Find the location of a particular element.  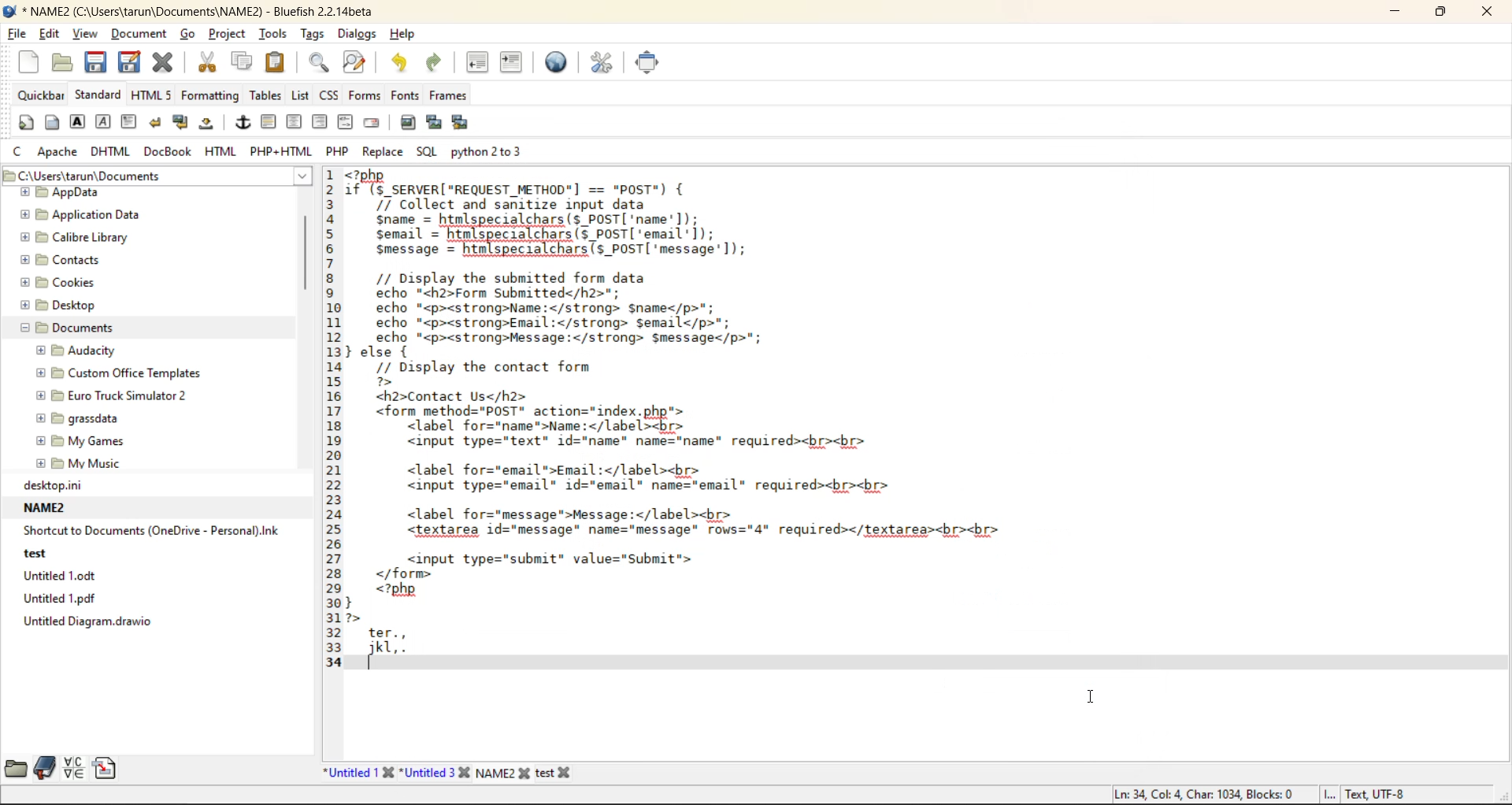

full screen is located at coordinates (651, 64).